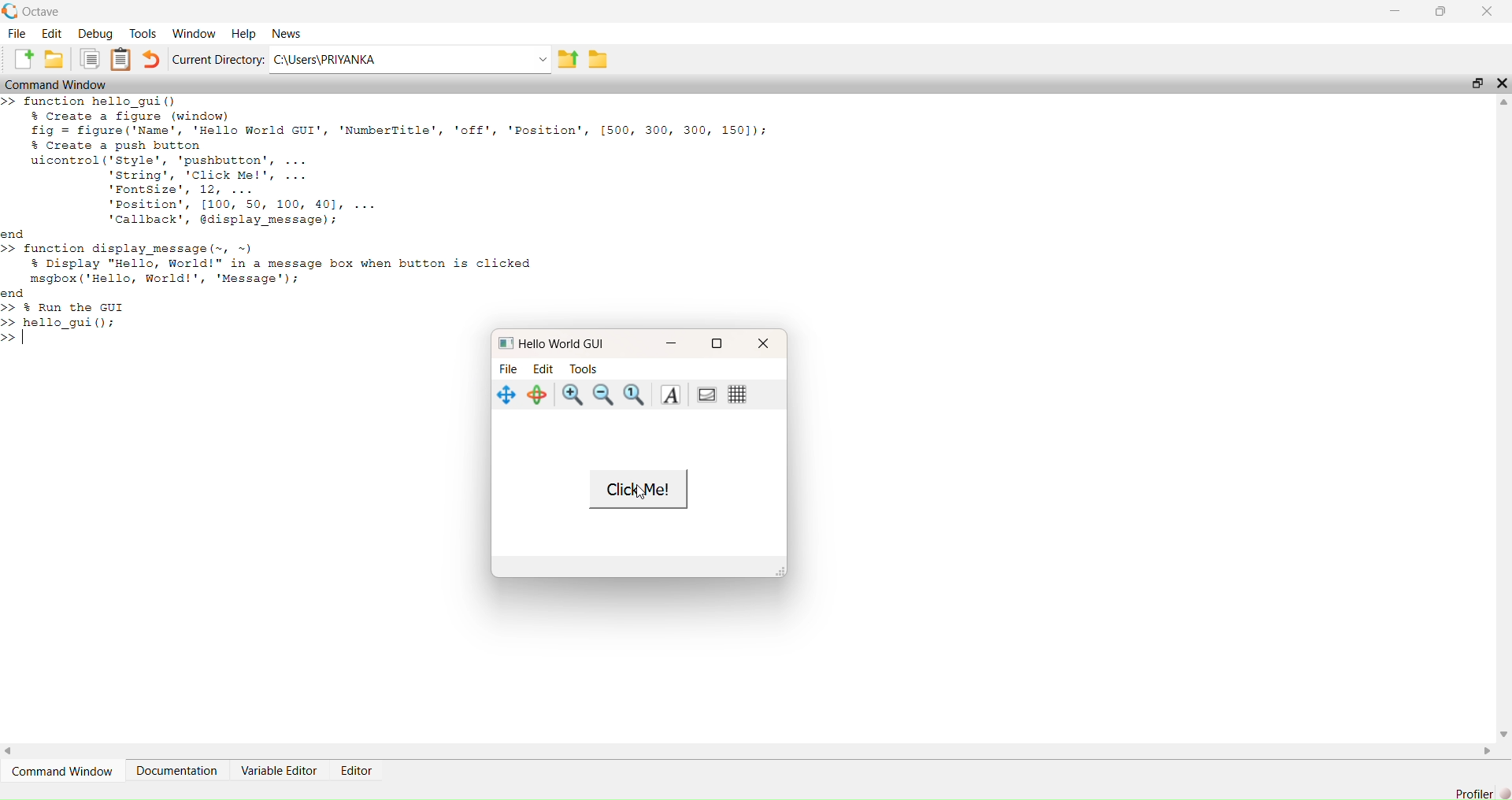  What do you see at coordinates (560, 343) in the screenshot?
I see `Hello World GUI` at bounding box center [560, 343].